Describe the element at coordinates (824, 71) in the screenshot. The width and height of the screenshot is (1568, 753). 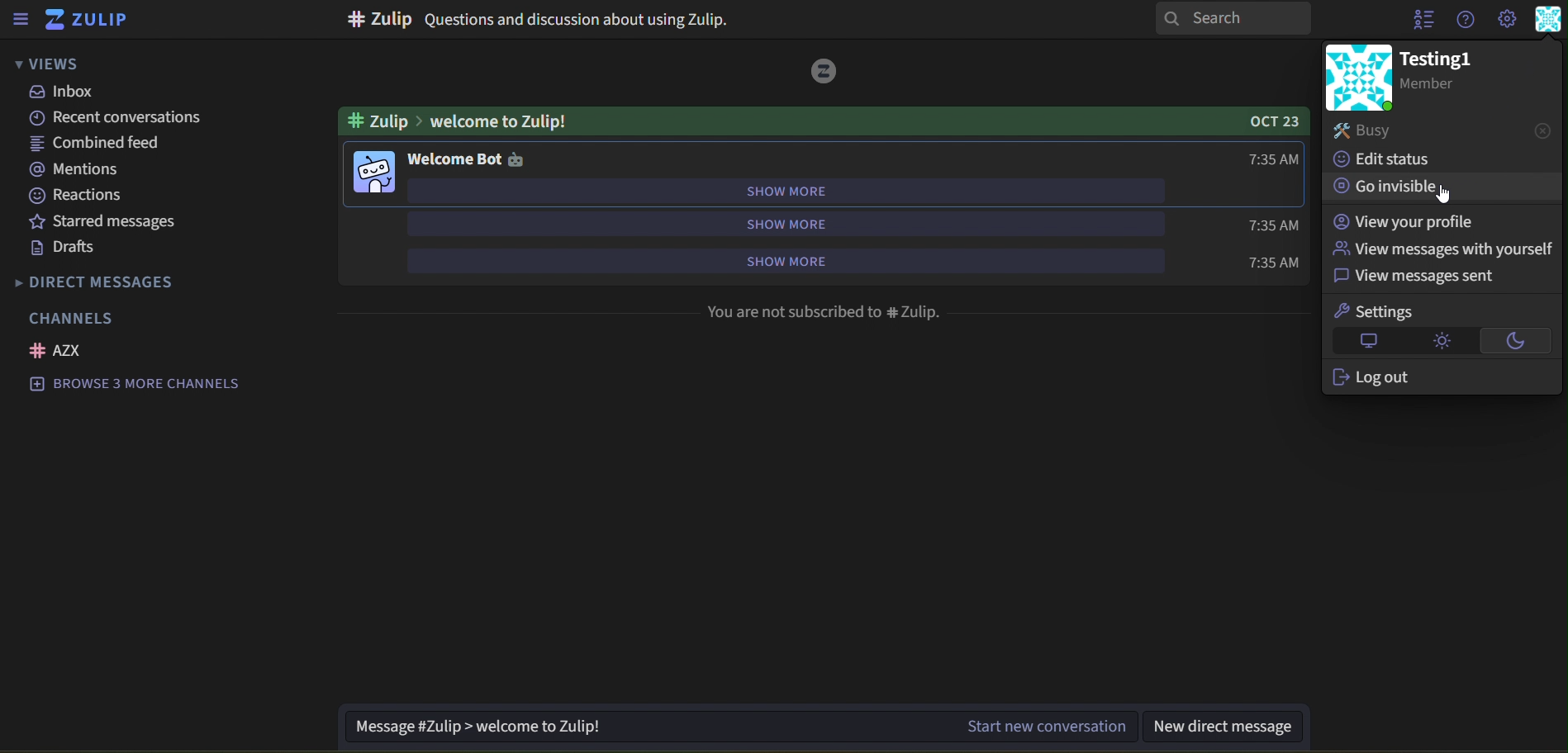
I see `image` at that location.